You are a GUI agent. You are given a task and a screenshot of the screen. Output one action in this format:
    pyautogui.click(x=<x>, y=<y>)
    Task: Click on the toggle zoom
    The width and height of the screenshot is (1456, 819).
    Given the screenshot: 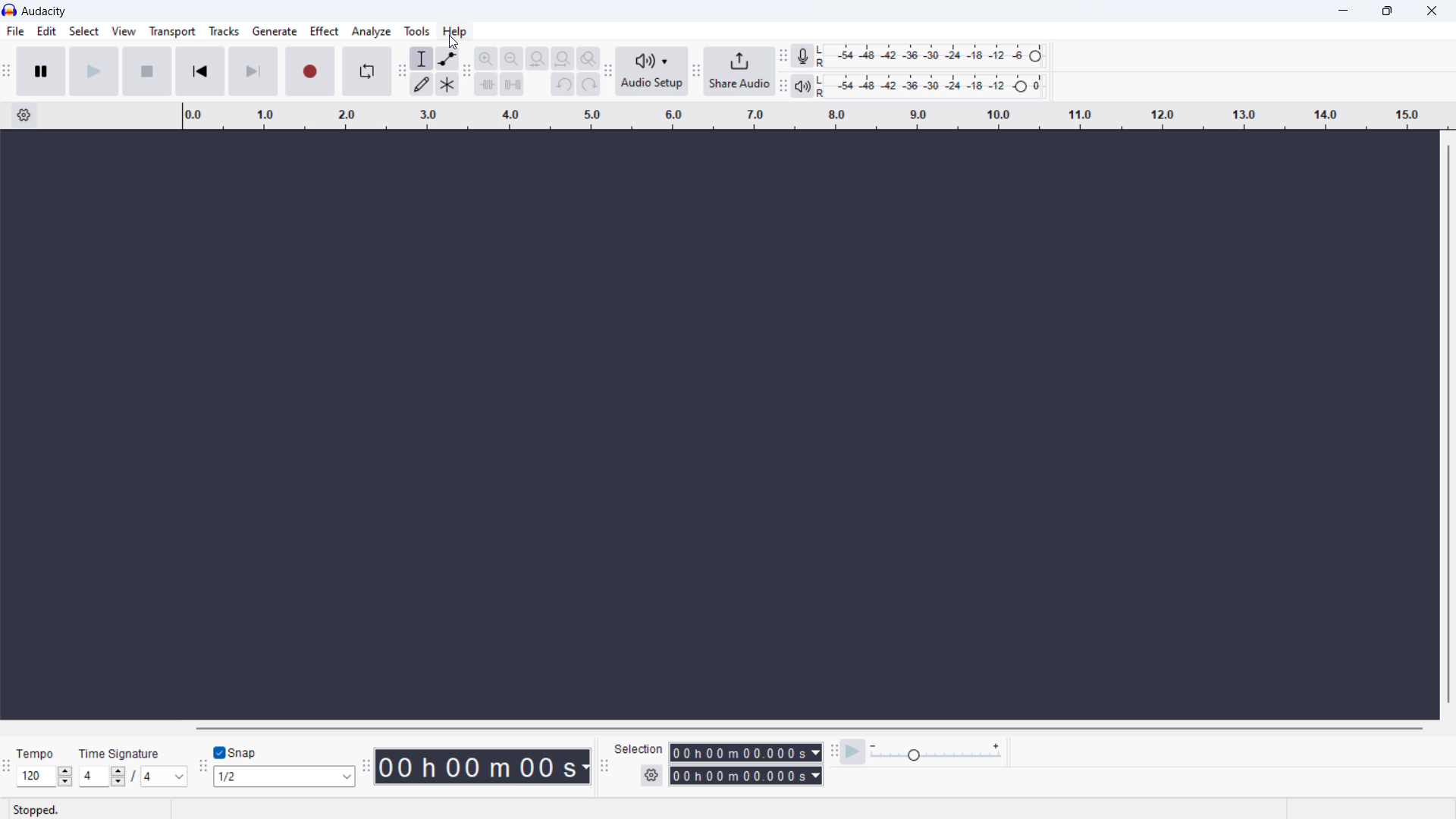 What is the action you would take?
    pyautogui.click(x=588, y=58)
    